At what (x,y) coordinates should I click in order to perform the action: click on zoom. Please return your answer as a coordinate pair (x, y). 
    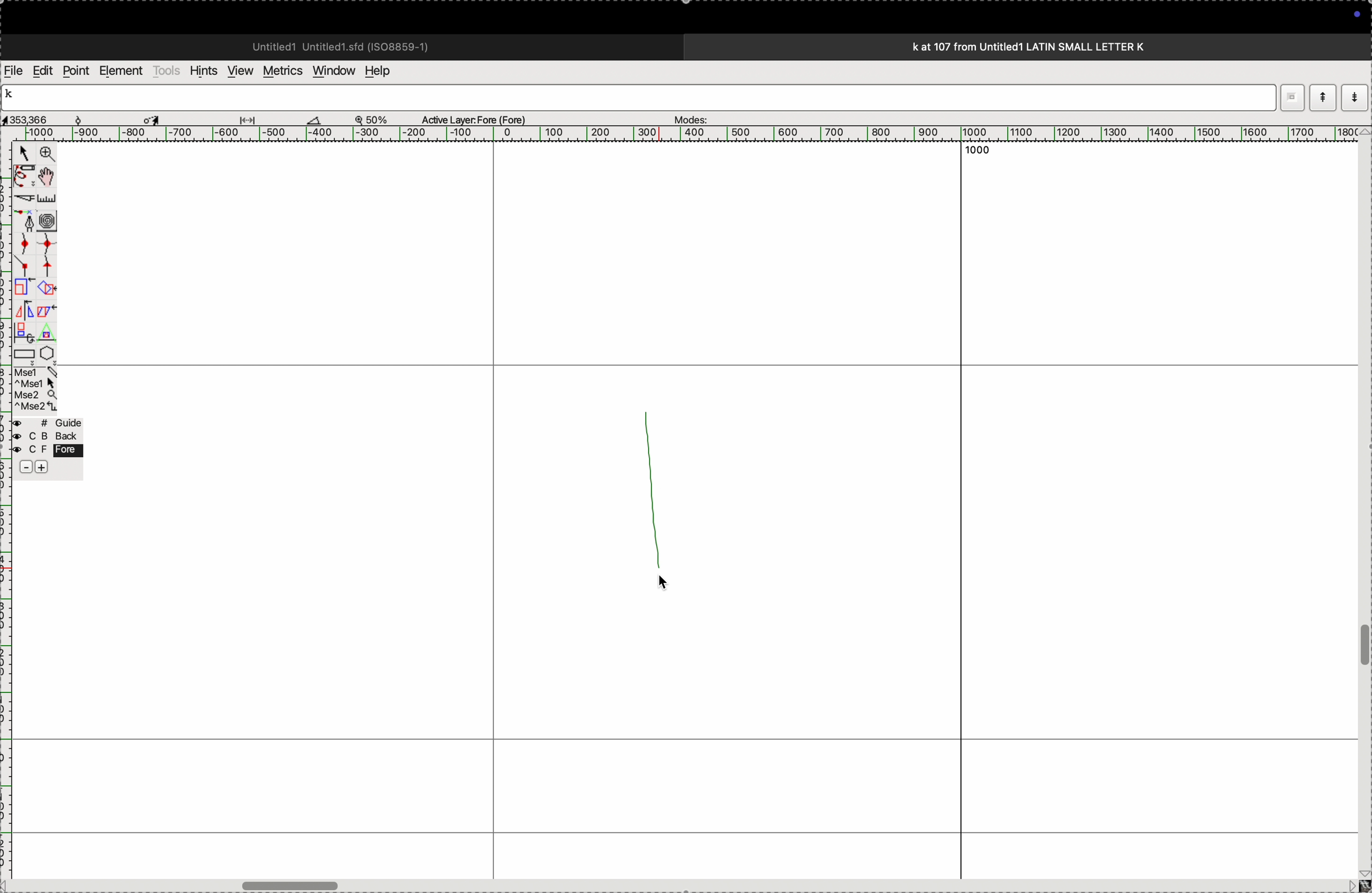
    Looking at the image, I should click on (377, 119).